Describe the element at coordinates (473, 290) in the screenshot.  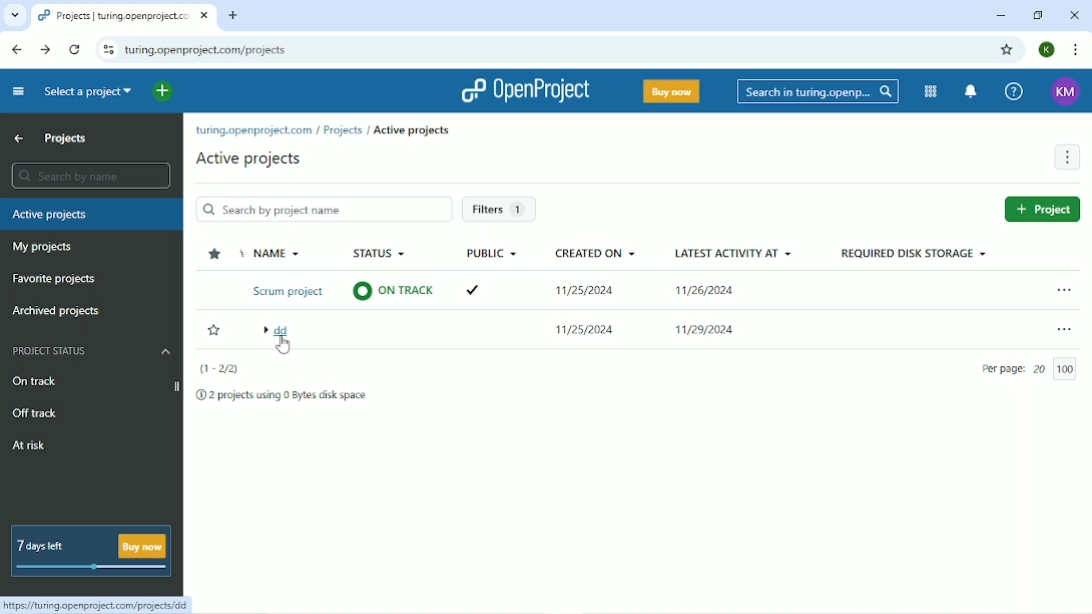
I see `v` at that location.